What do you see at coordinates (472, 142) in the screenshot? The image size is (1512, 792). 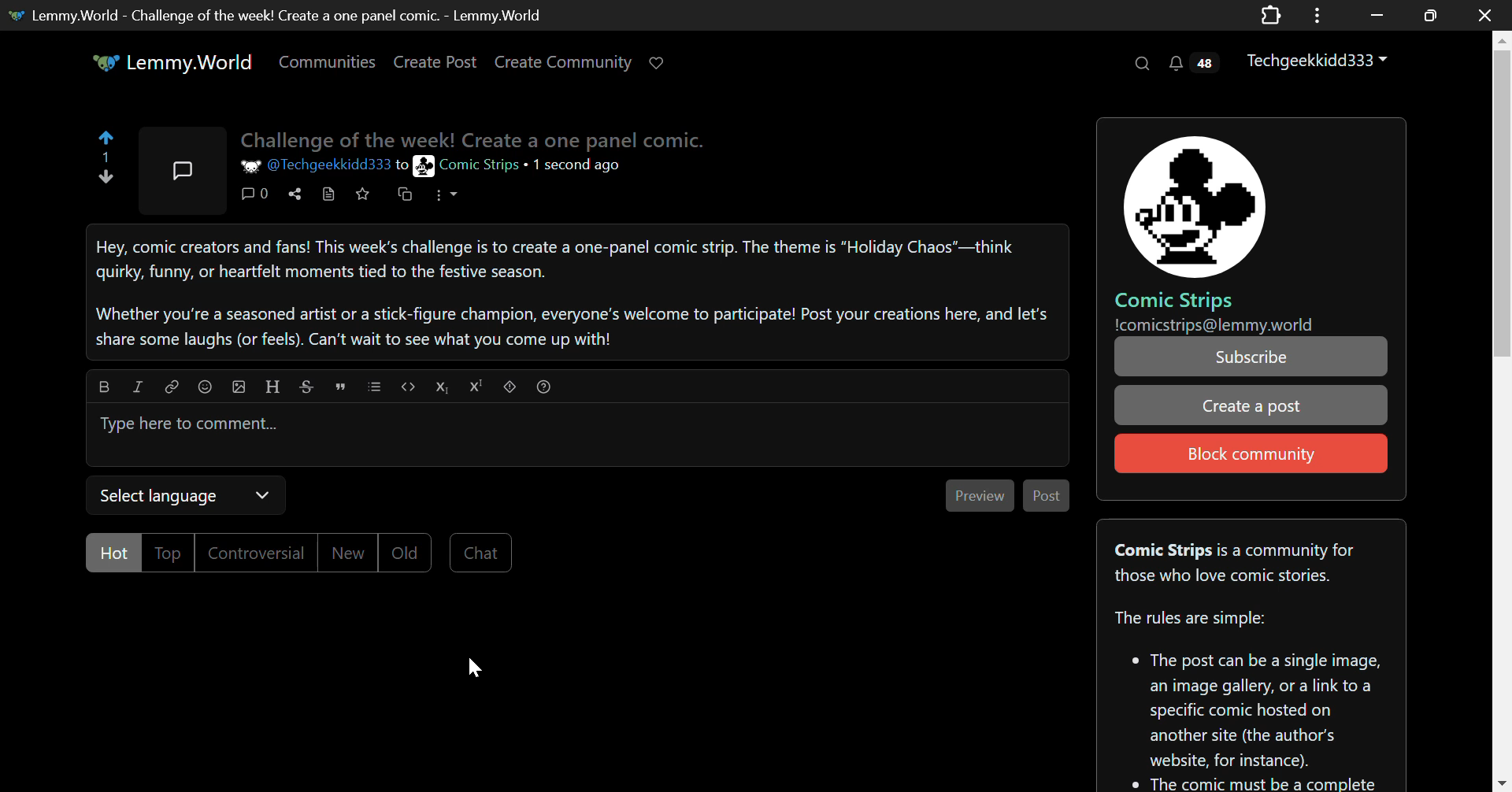 I see `Challenge of the Week! Create a one panel comic.` at bounding box center [472, 142].